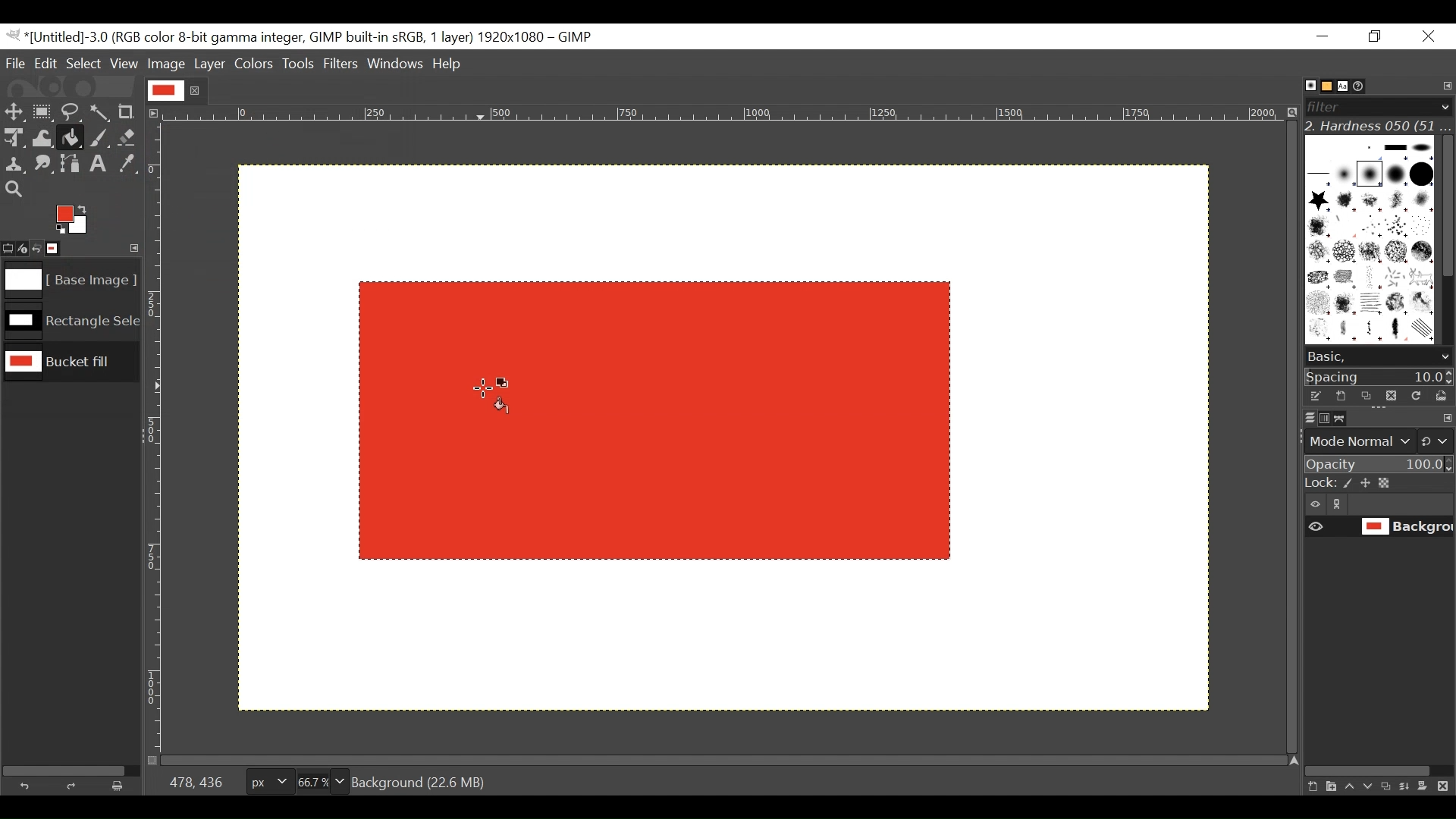 This screenshot has width=1456, height=819. I want to click on scroll down, so click(1445, 357).